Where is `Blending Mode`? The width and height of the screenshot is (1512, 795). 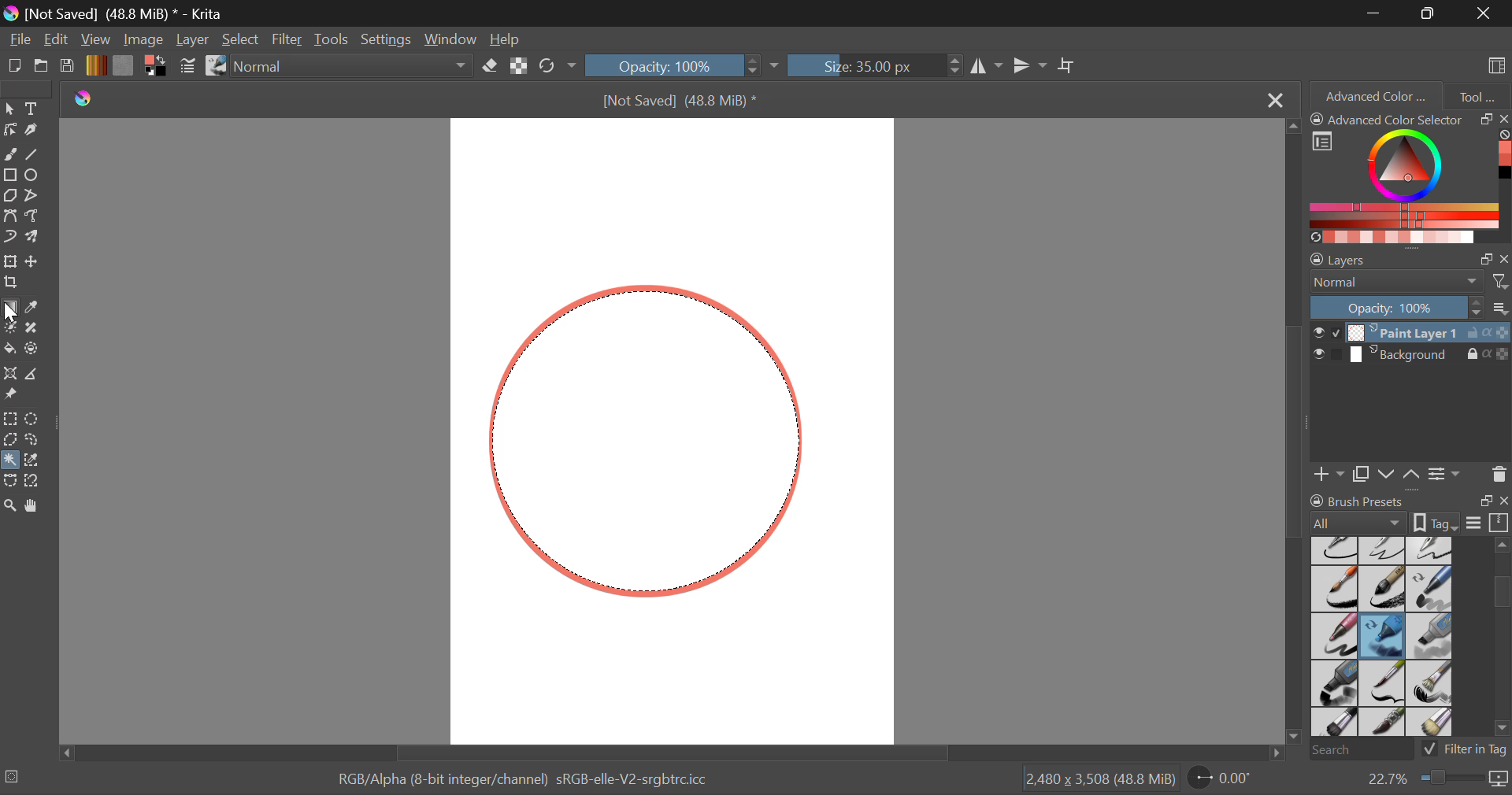 Blending Mode is located at coordinates (356, 67).